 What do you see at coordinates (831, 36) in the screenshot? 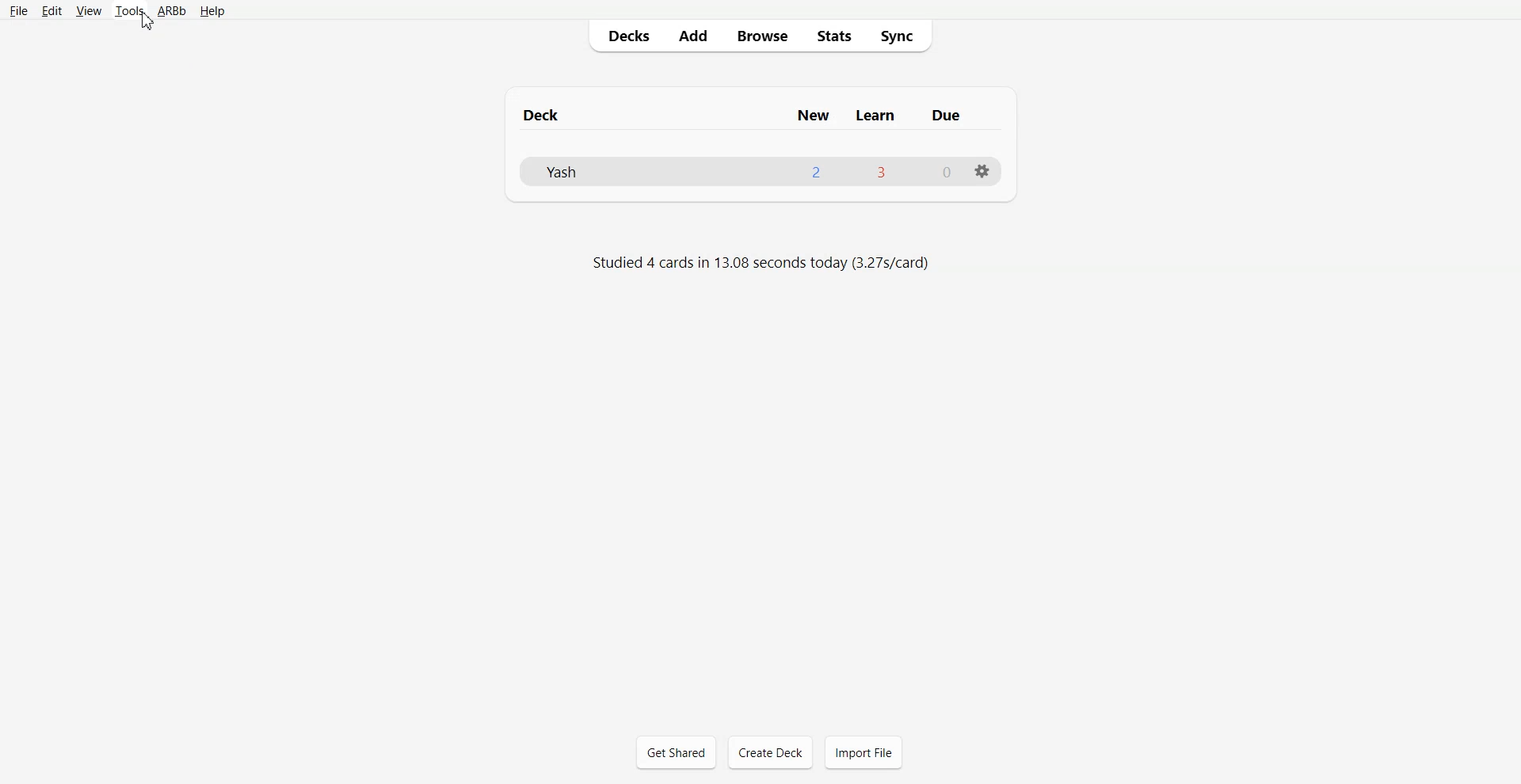
I see `Stats` at bounding box center [831, 36].